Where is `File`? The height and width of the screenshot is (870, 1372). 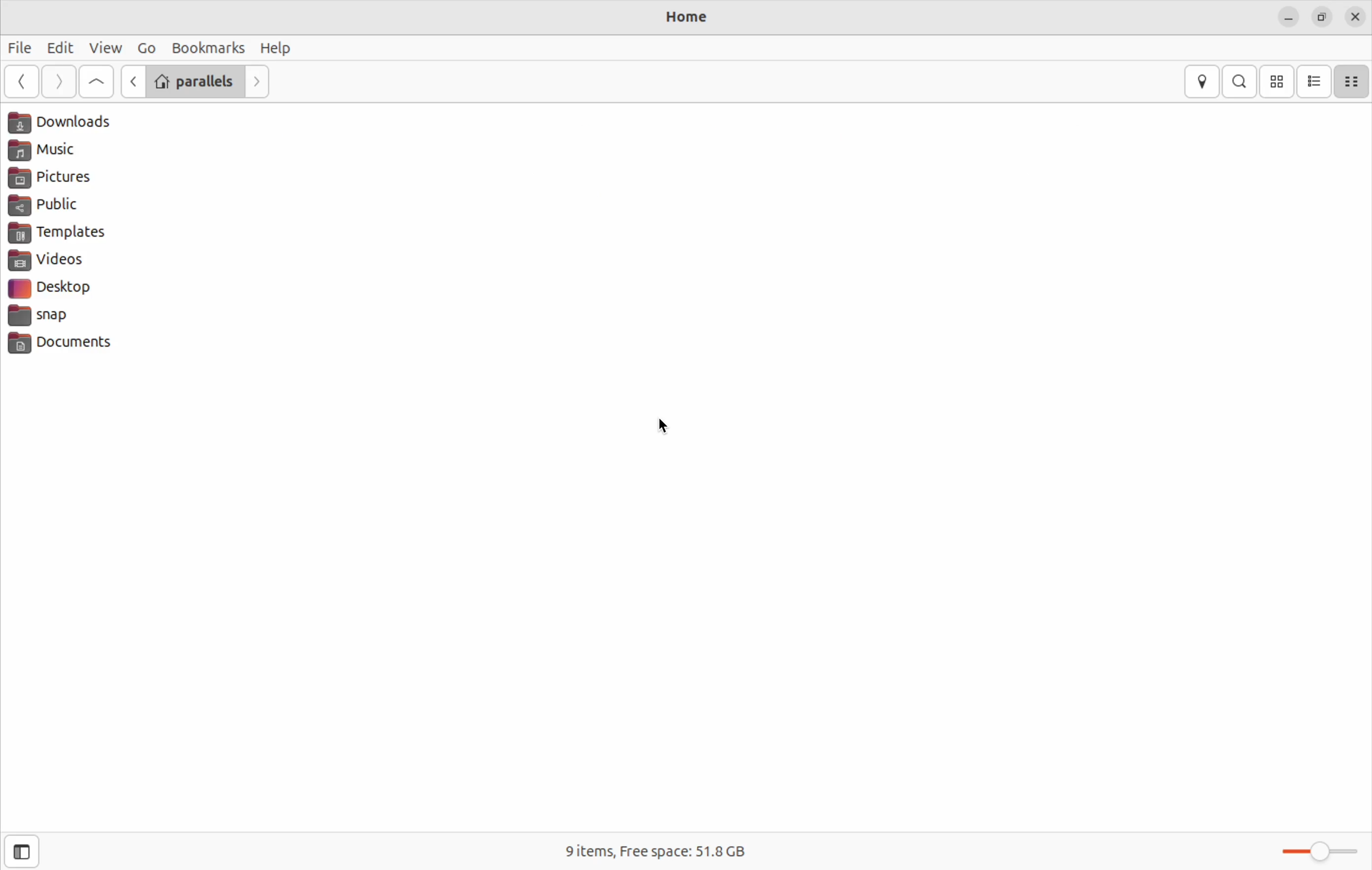 File is located at coordinates (21, 49).